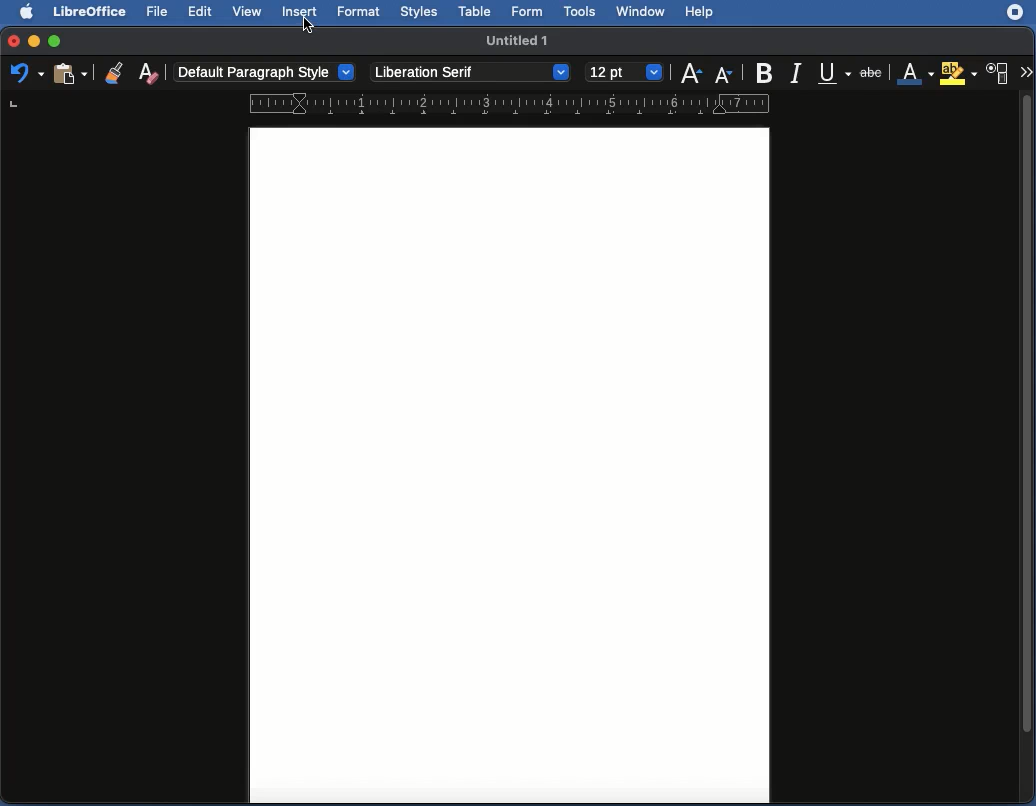 This screenshot has height=806, width=1036. Describe the element at coordinates (310, 27) in the screenshot. I see `cursor` at that location.